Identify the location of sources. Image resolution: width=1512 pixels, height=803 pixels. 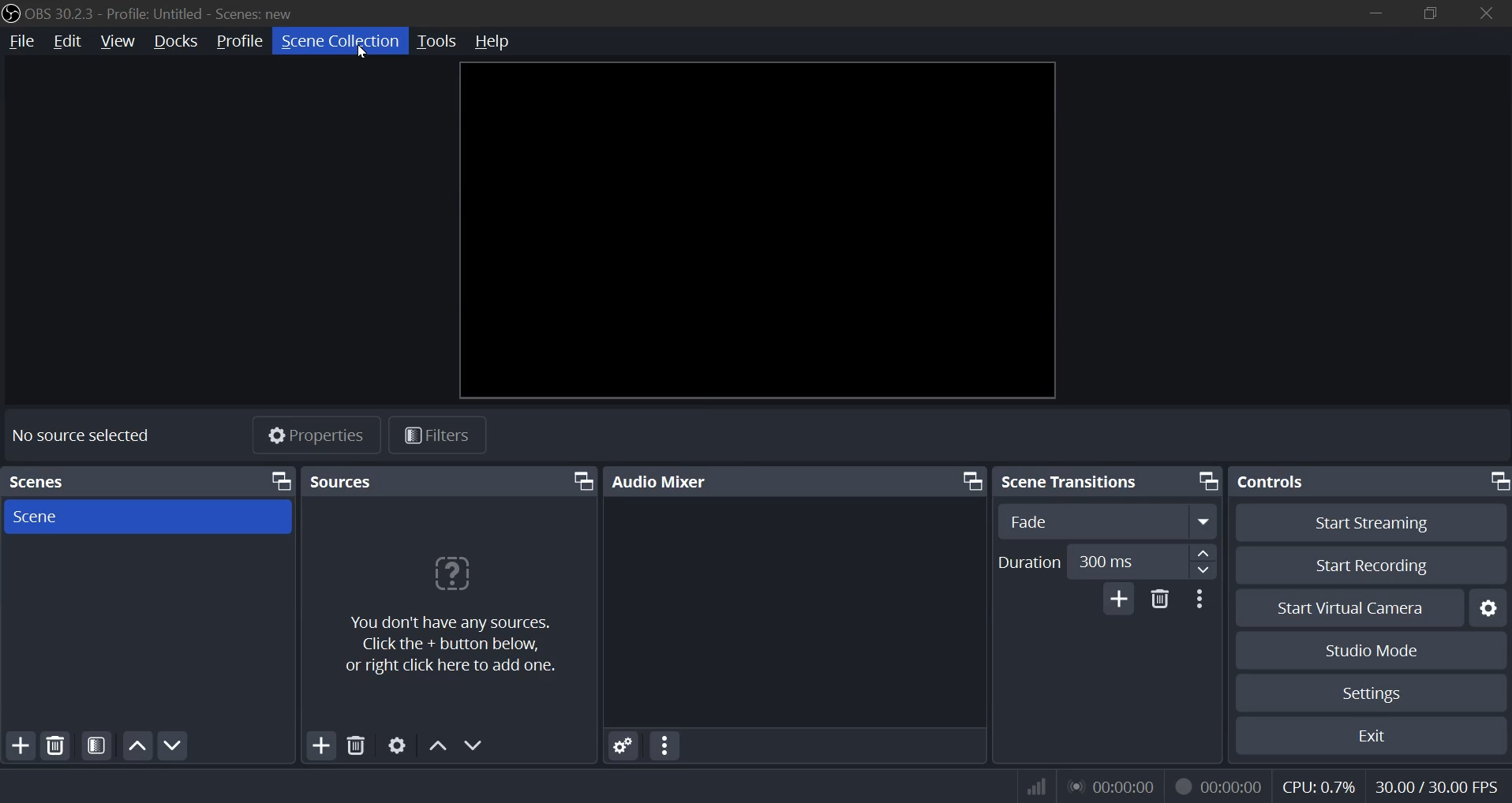
(345, 481).